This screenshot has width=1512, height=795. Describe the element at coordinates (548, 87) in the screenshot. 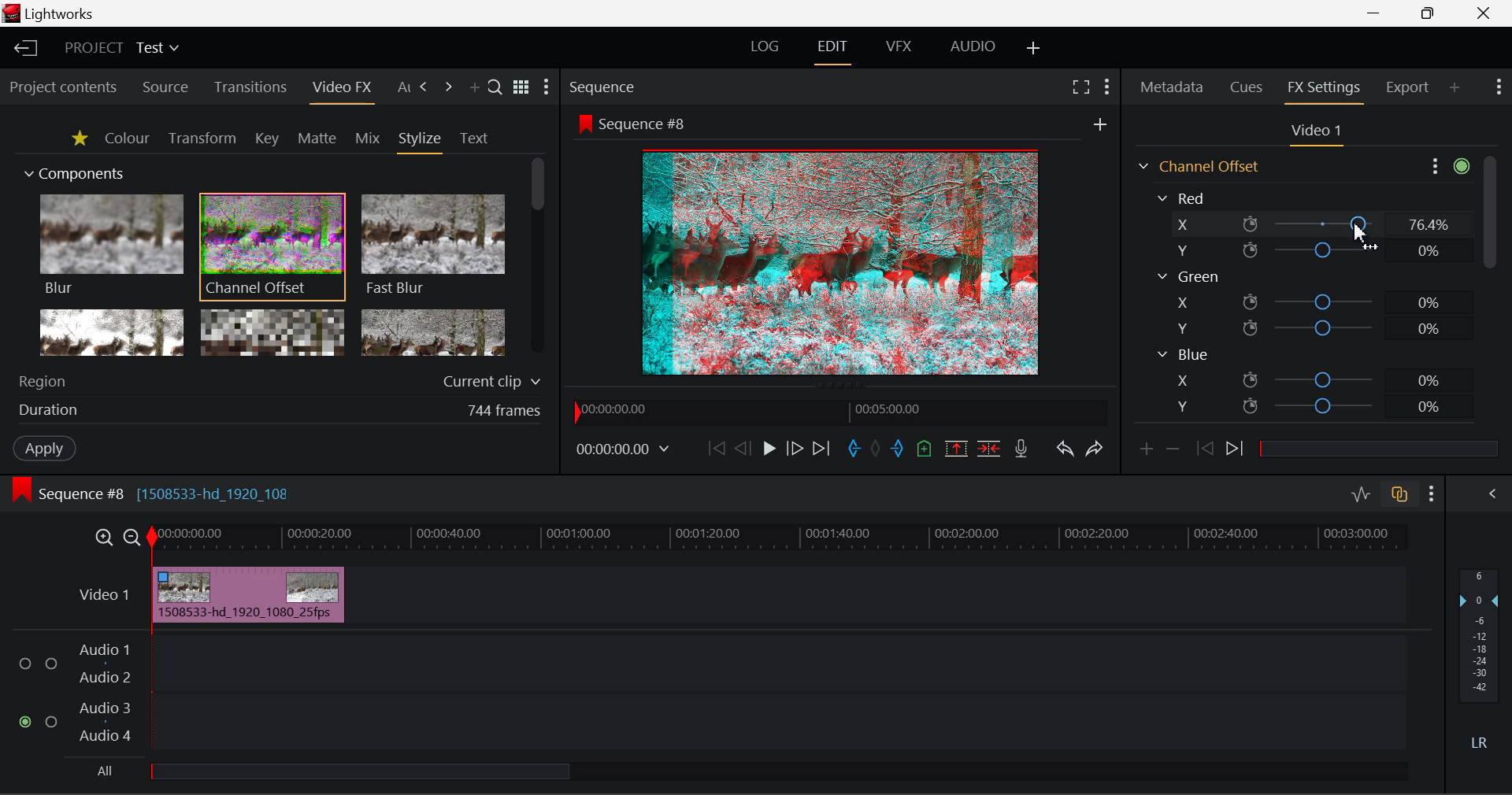

I see `Show Settings` at that location.